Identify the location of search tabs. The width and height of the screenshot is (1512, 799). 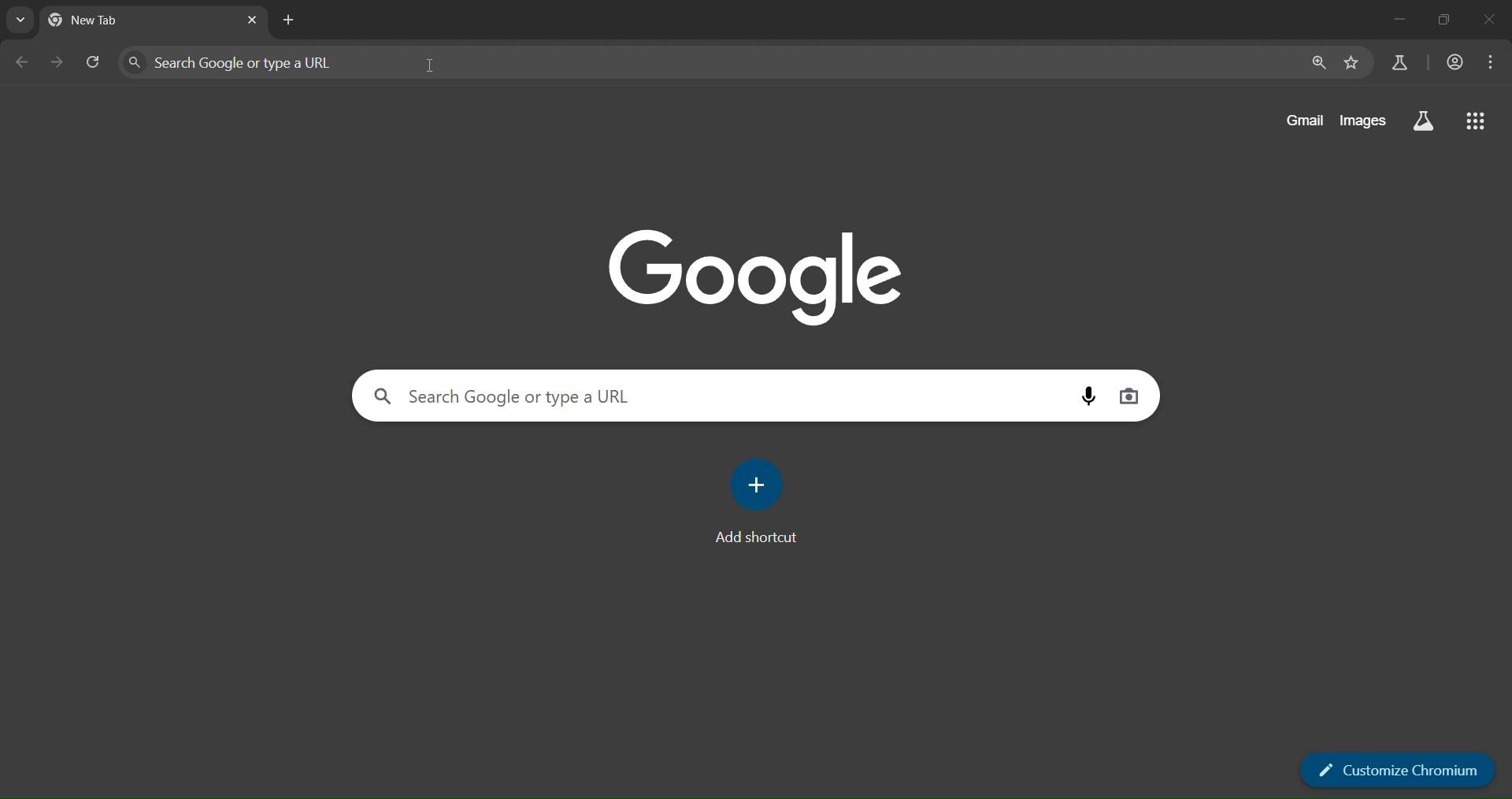
(17, 22).